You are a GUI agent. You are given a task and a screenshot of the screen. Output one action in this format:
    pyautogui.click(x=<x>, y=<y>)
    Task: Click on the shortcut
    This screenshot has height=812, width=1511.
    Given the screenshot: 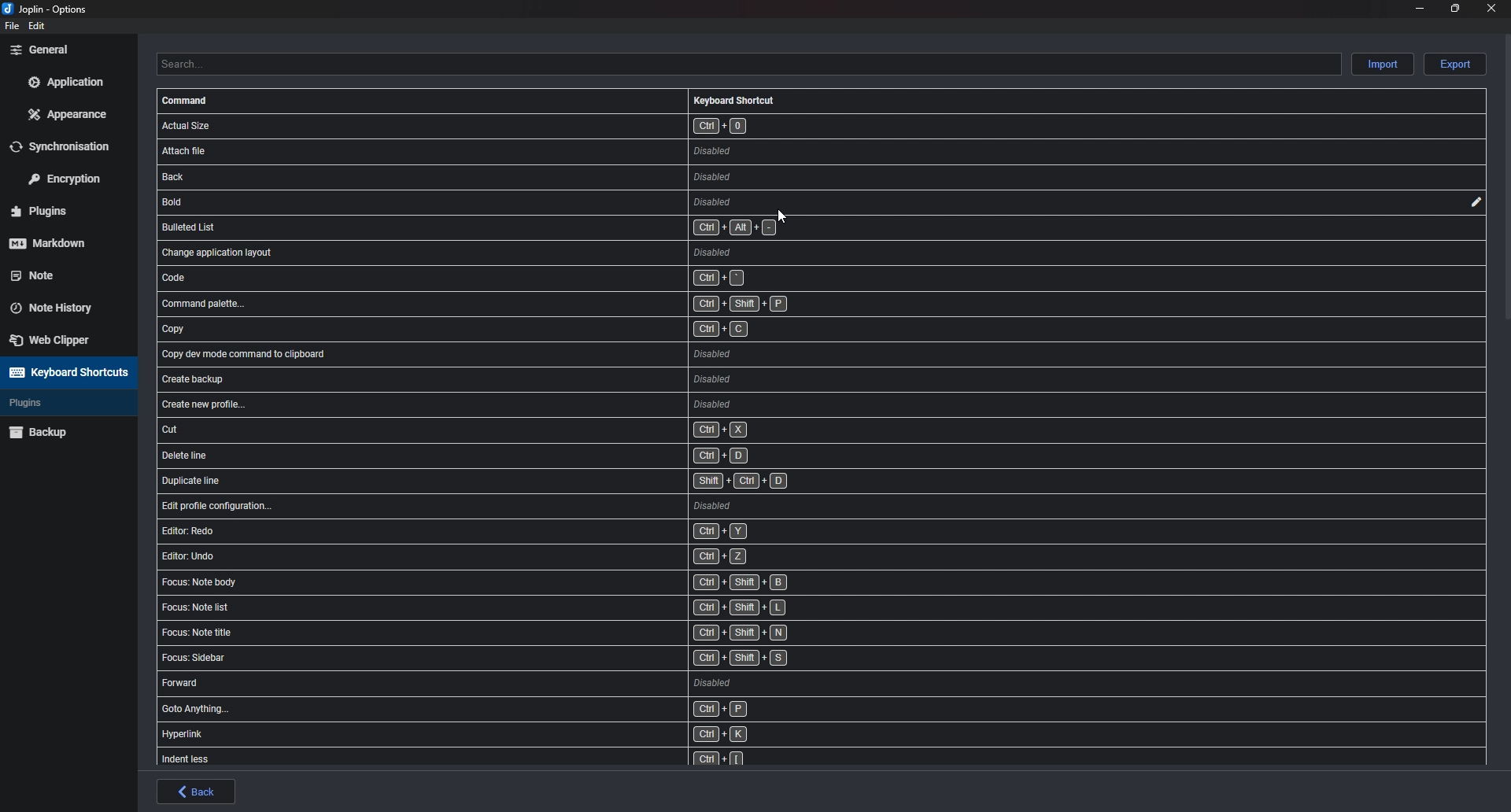 What is the action you would take?
    pyautogui.click(x=531, y=430)
    